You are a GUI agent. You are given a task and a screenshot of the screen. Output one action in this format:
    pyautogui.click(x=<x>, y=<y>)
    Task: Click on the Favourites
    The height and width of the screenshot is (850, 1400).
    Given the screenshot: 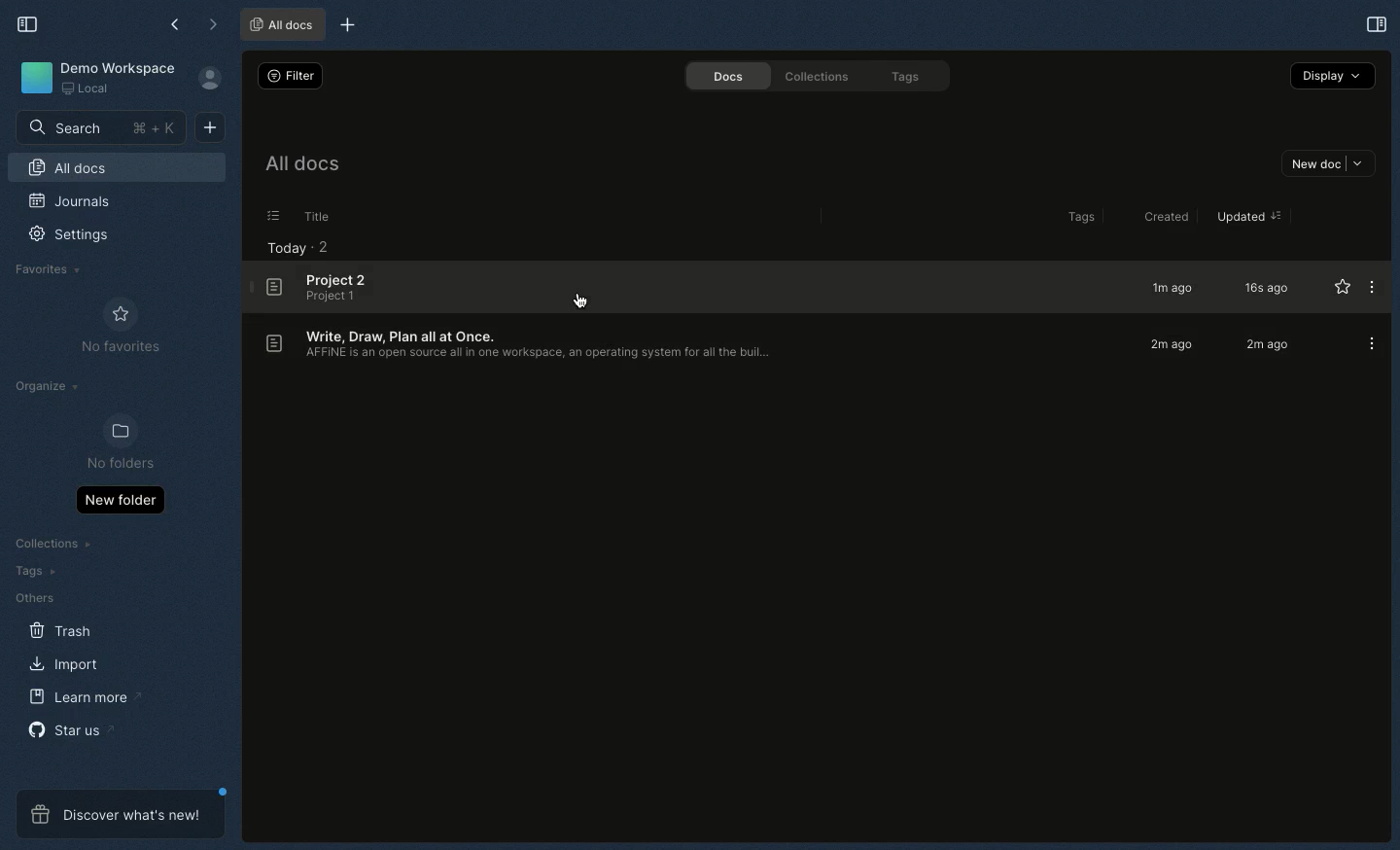 What is the action you would take?
    pyautogui.click(x=50, y=270)
    